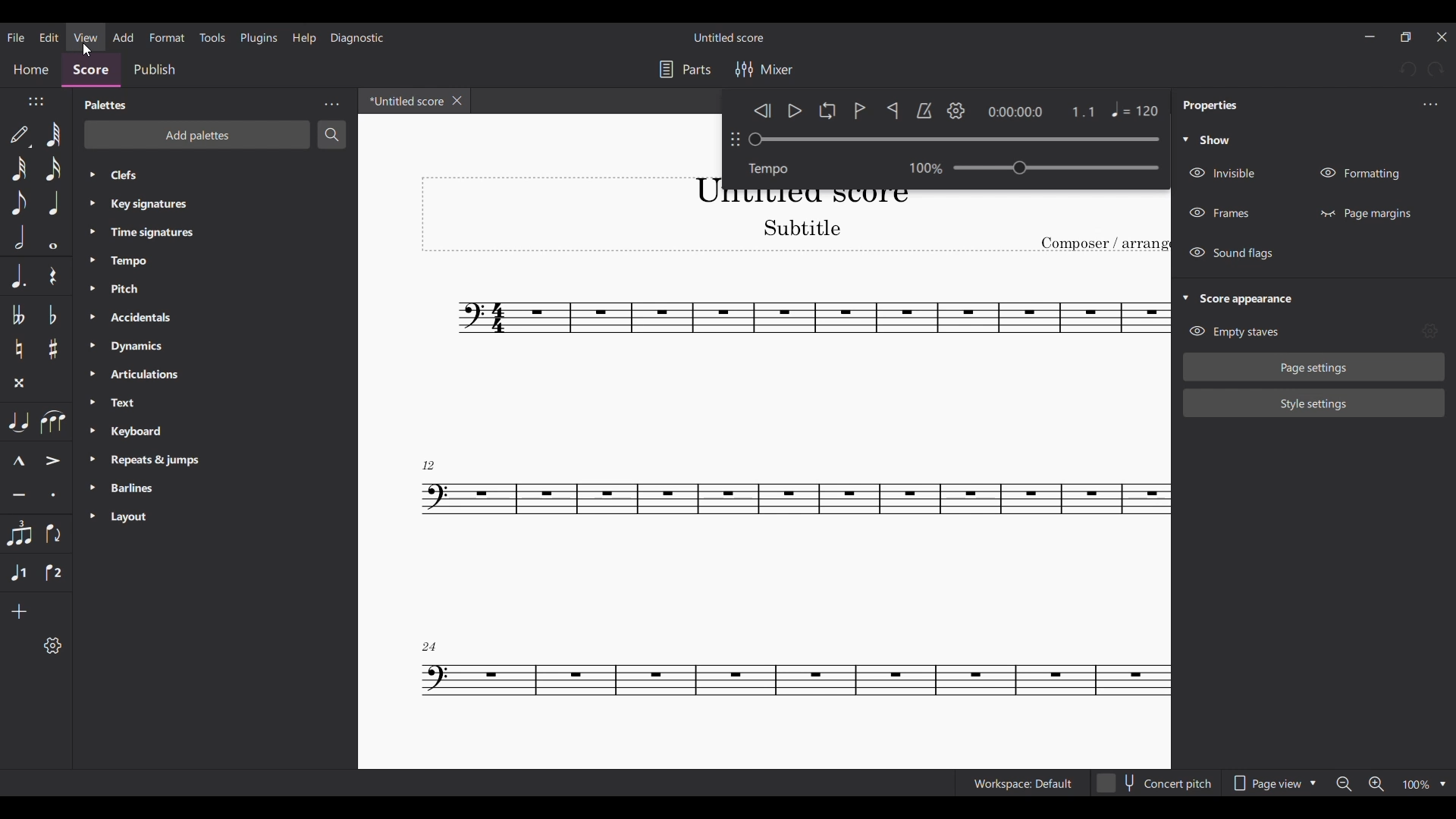 The width and height of the screenshot is (1456, 819). Describe the element at coordinates (304, 38) in the screenshot. I see `Help` at that location.